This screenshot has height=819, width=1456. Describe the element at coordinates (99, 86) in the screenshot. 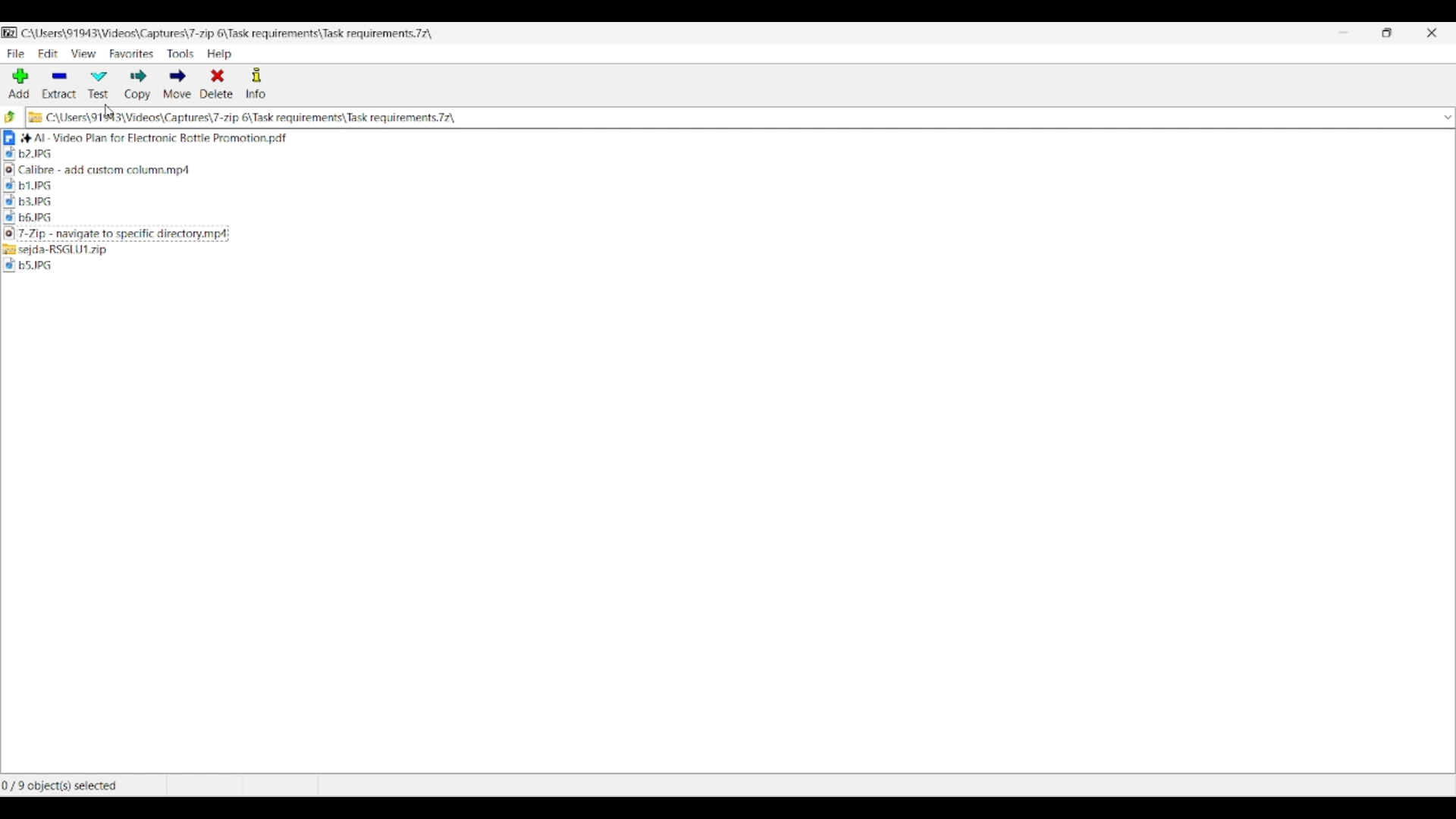

I see `Test` at that location.